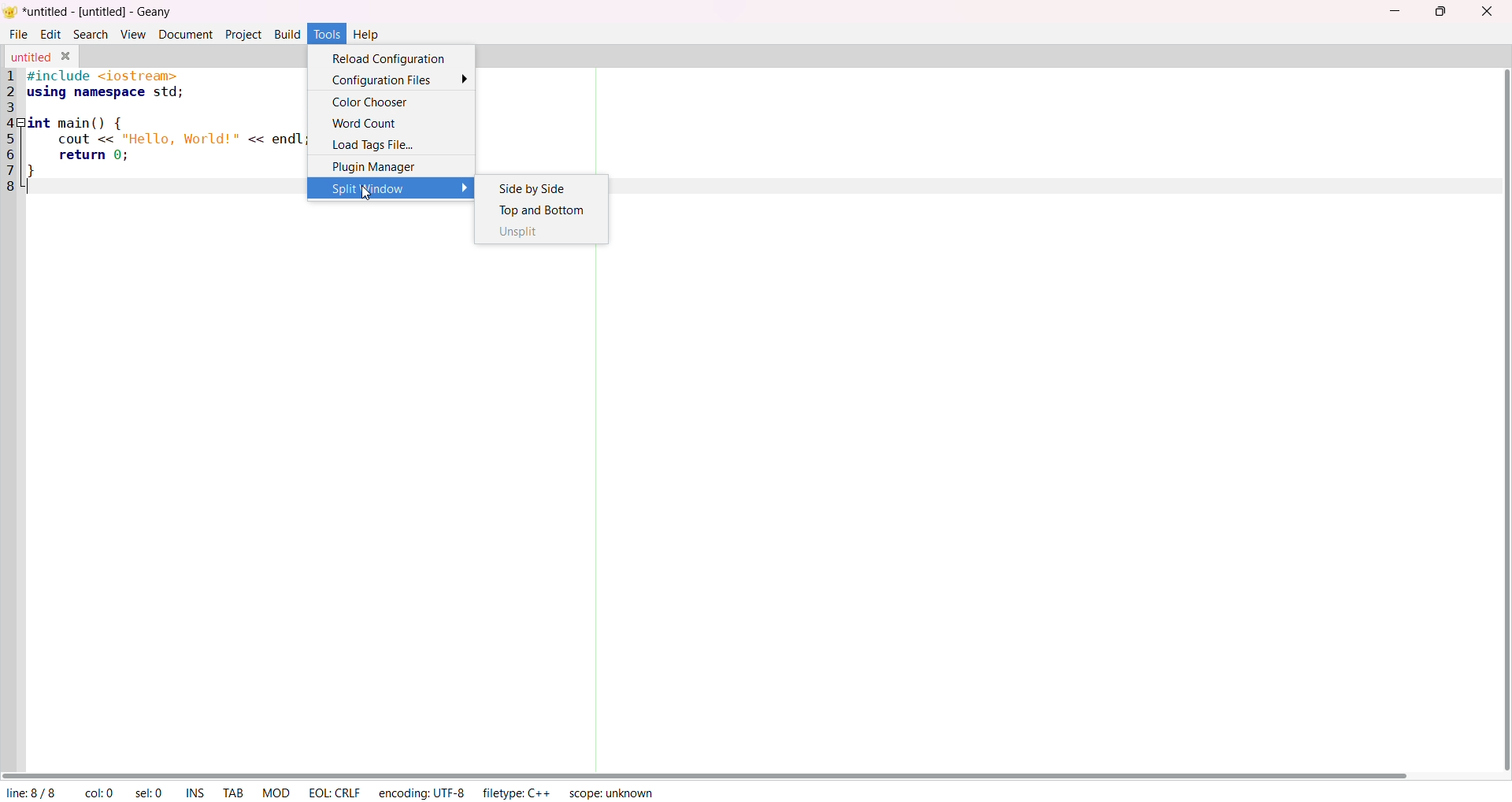 Image resolution: width=1512 pixels, height=802 pixels. I want to click on Unsplit, so click(527, 234).